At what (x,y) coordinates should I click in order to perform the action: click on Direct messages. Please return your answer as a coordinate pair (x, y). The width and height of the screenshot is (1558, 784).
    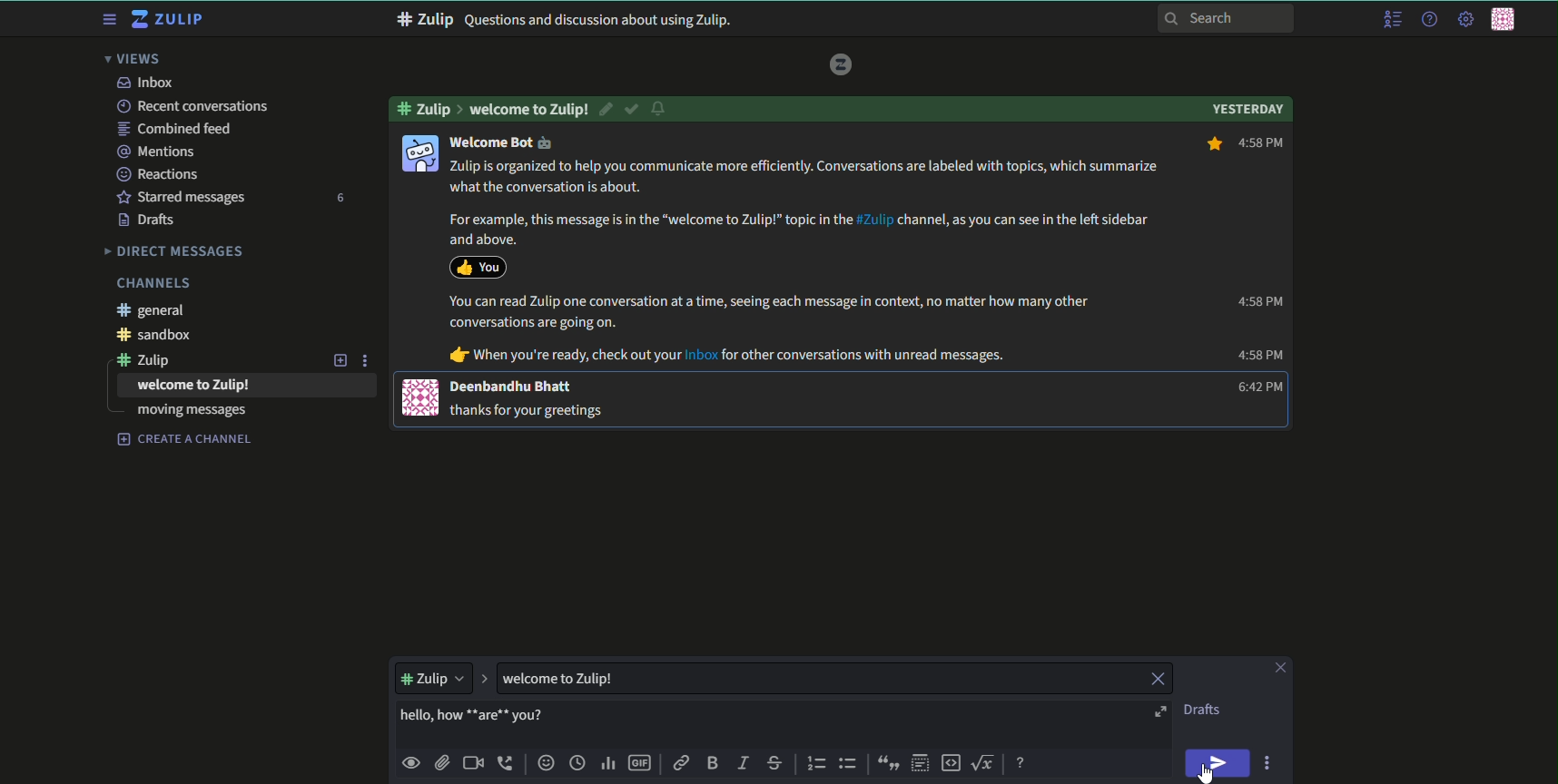
    Looking at the image, I should click on (175, 250).